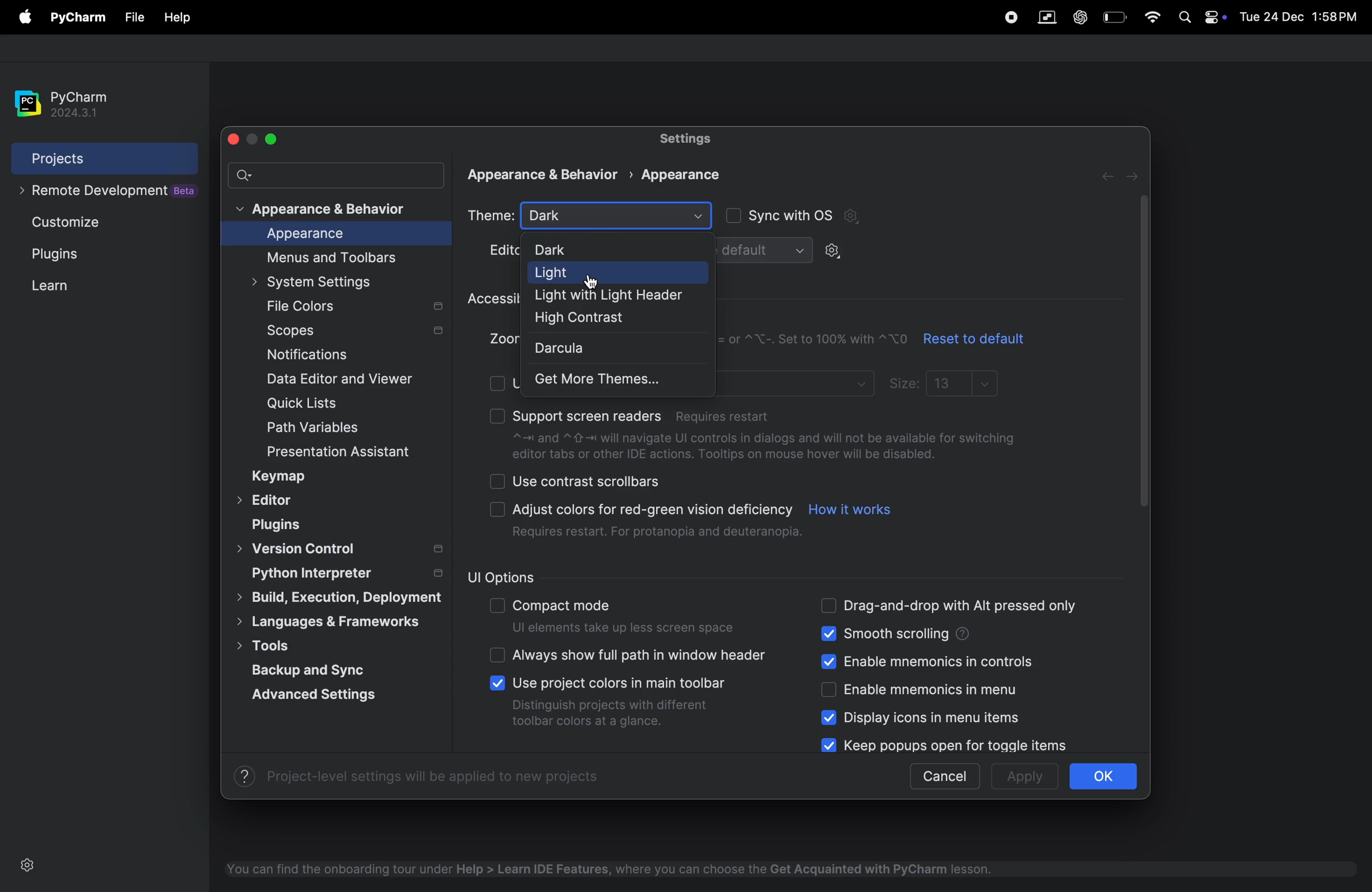  Describe the element at coordinates (278, 647) in the screenshot. I see `tools` at that location.